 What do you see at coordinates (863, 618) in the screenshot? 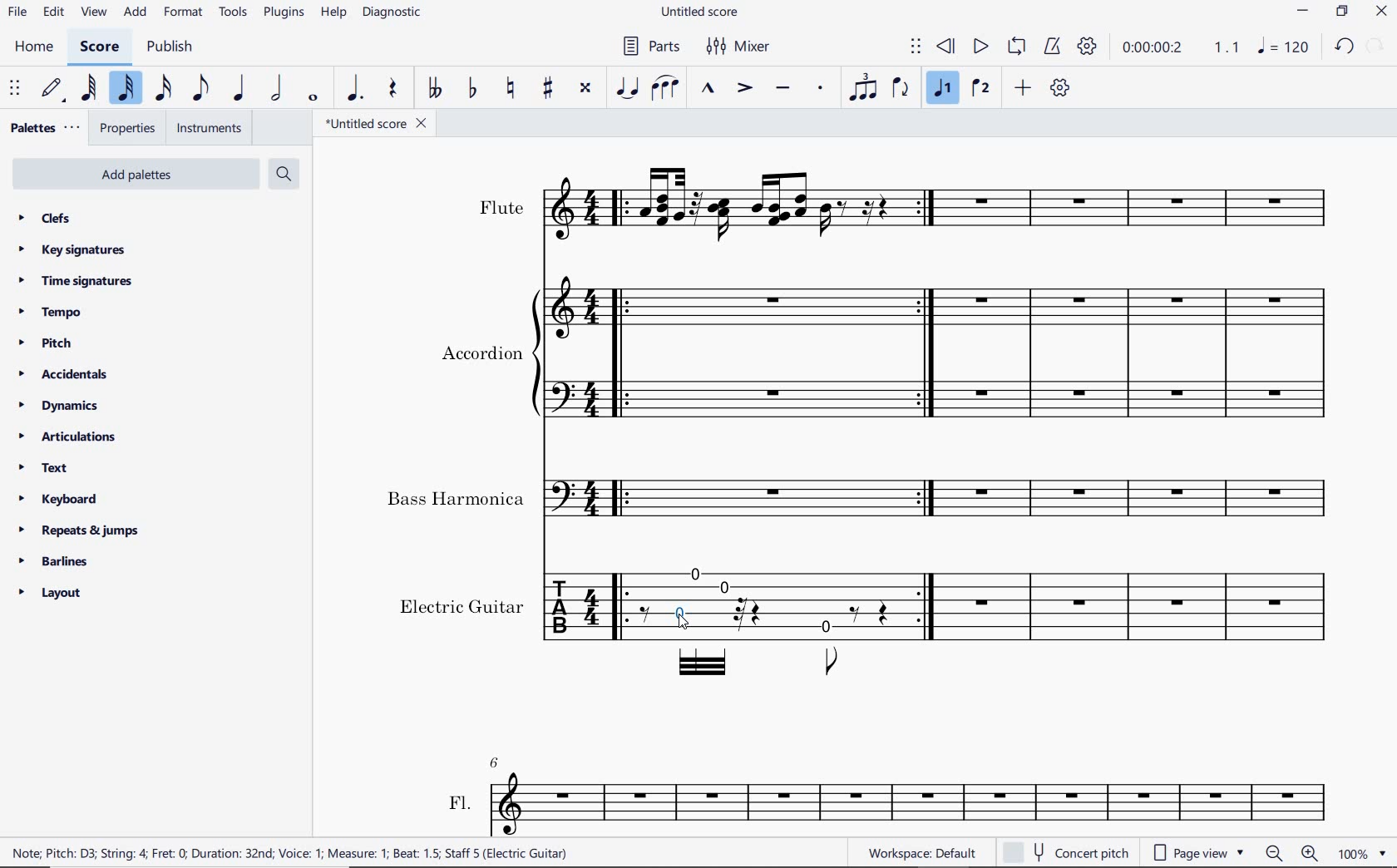
I see `Instrument: Electric guitar` at bounding box center [863, 618].